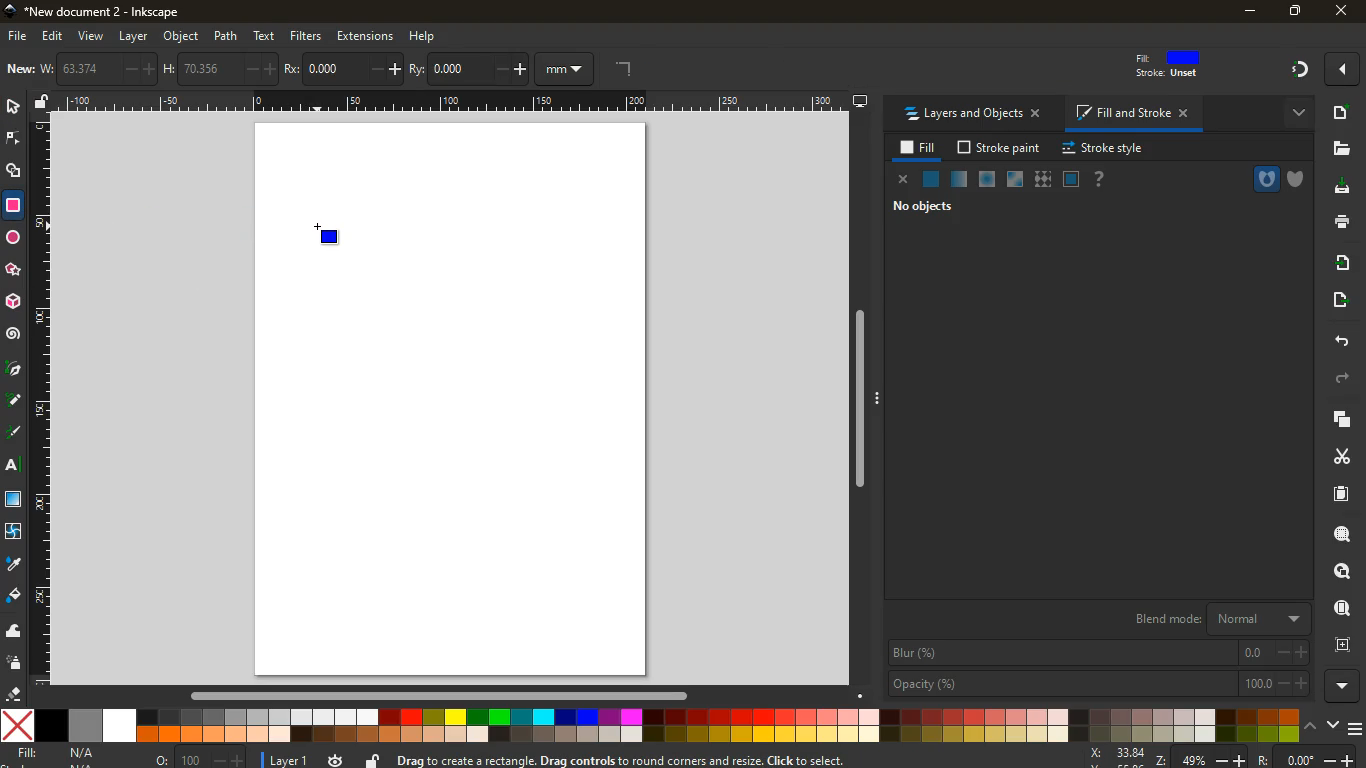 The width and height of the screenshot is (1366, 768). What do you see at coordinates (97, 69) in the screenshot?
I see `w` at bounding box center [97, 69].